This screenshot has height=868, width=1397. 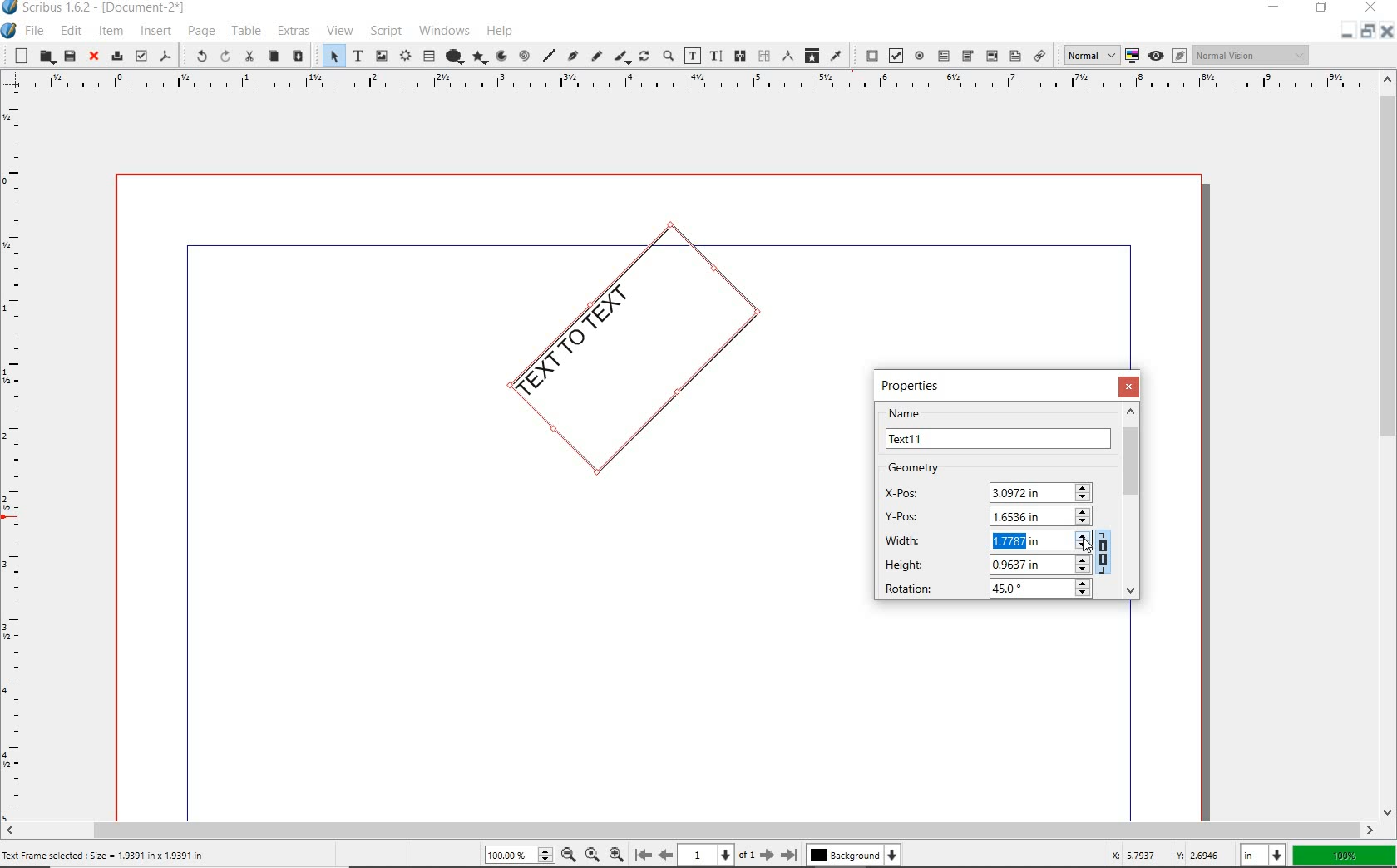 I want to click on move to next, so click(x=770, y=857).